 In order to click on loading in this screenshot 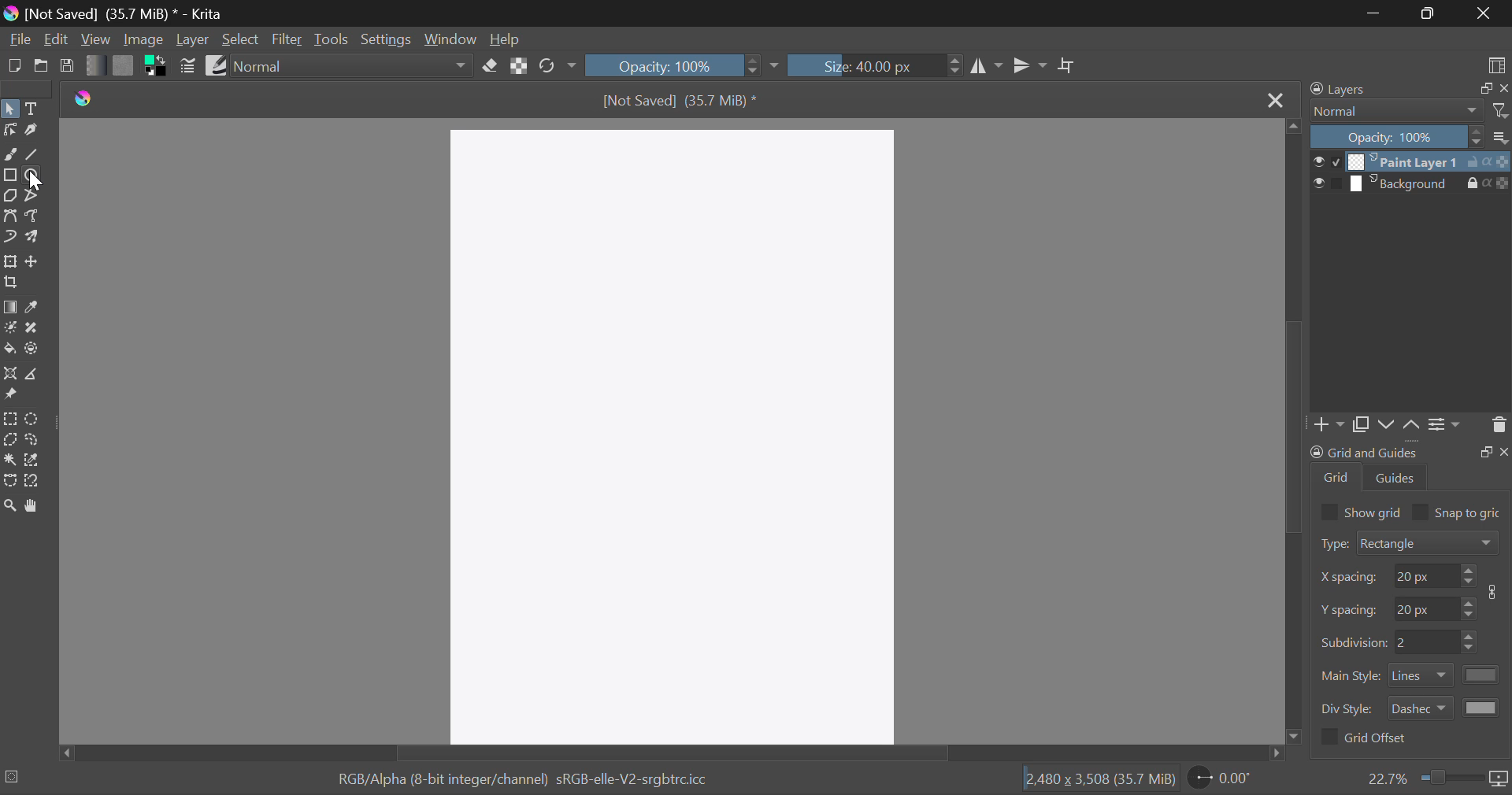, I will do `click(11, 775)`.